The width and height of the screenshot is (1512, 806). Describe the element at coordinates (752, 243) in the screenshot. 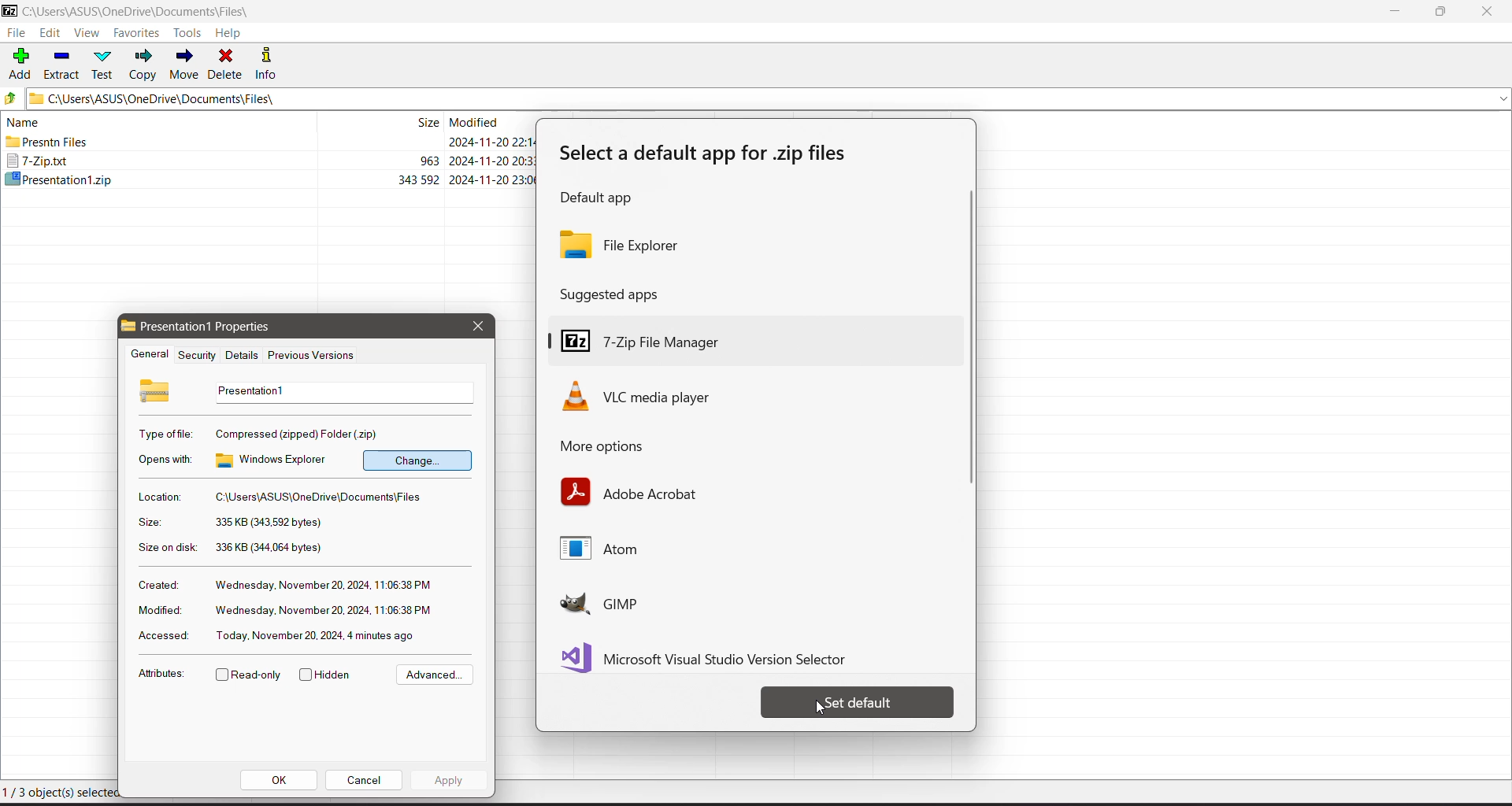

I see `Current default app to open .zip file` at that location.